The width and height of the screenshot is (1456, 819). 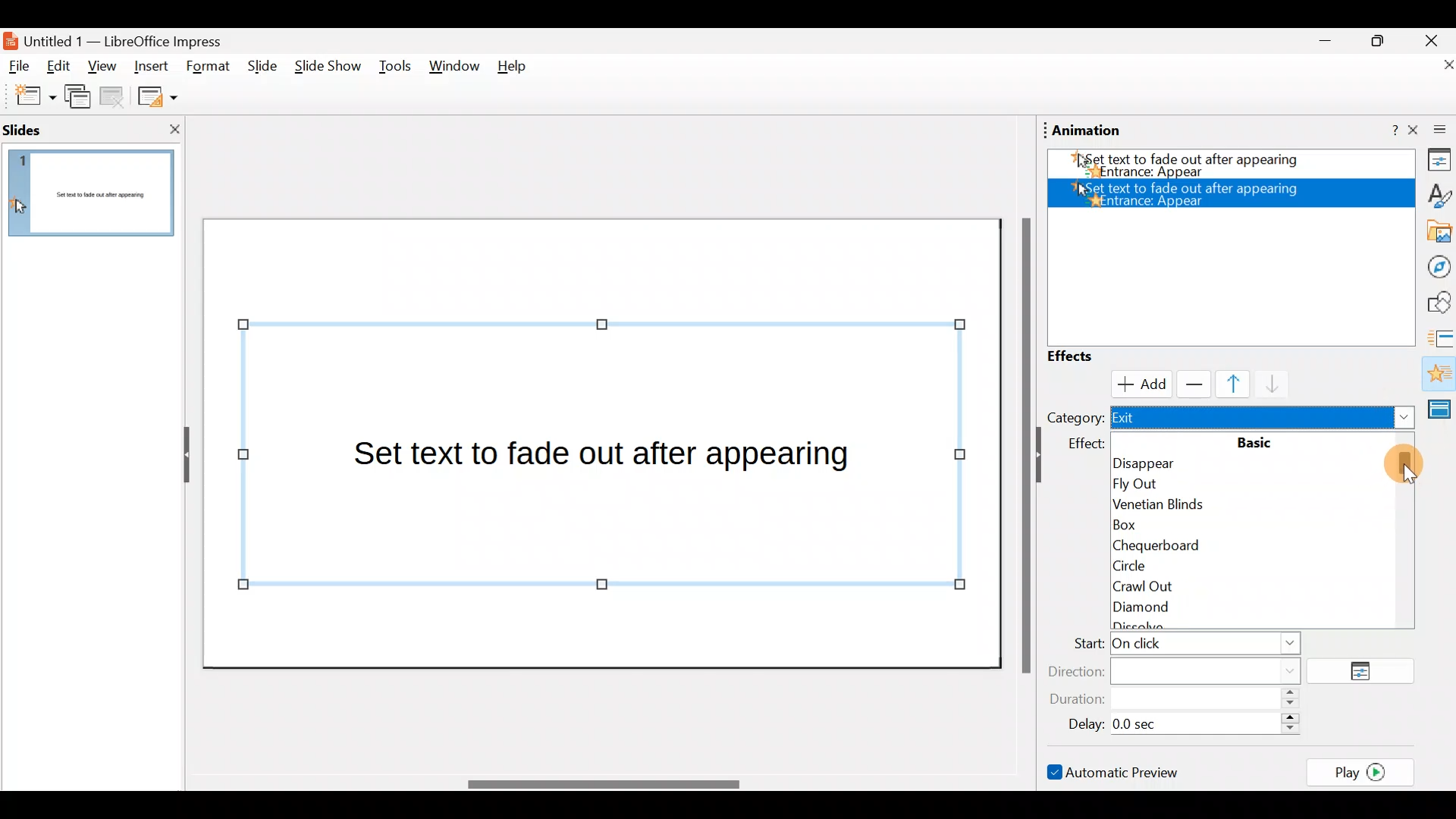 What do you see at coordinates (80, 99) in the screenshot?
I see `Duplicate slide` at bounding box center [80, 99].